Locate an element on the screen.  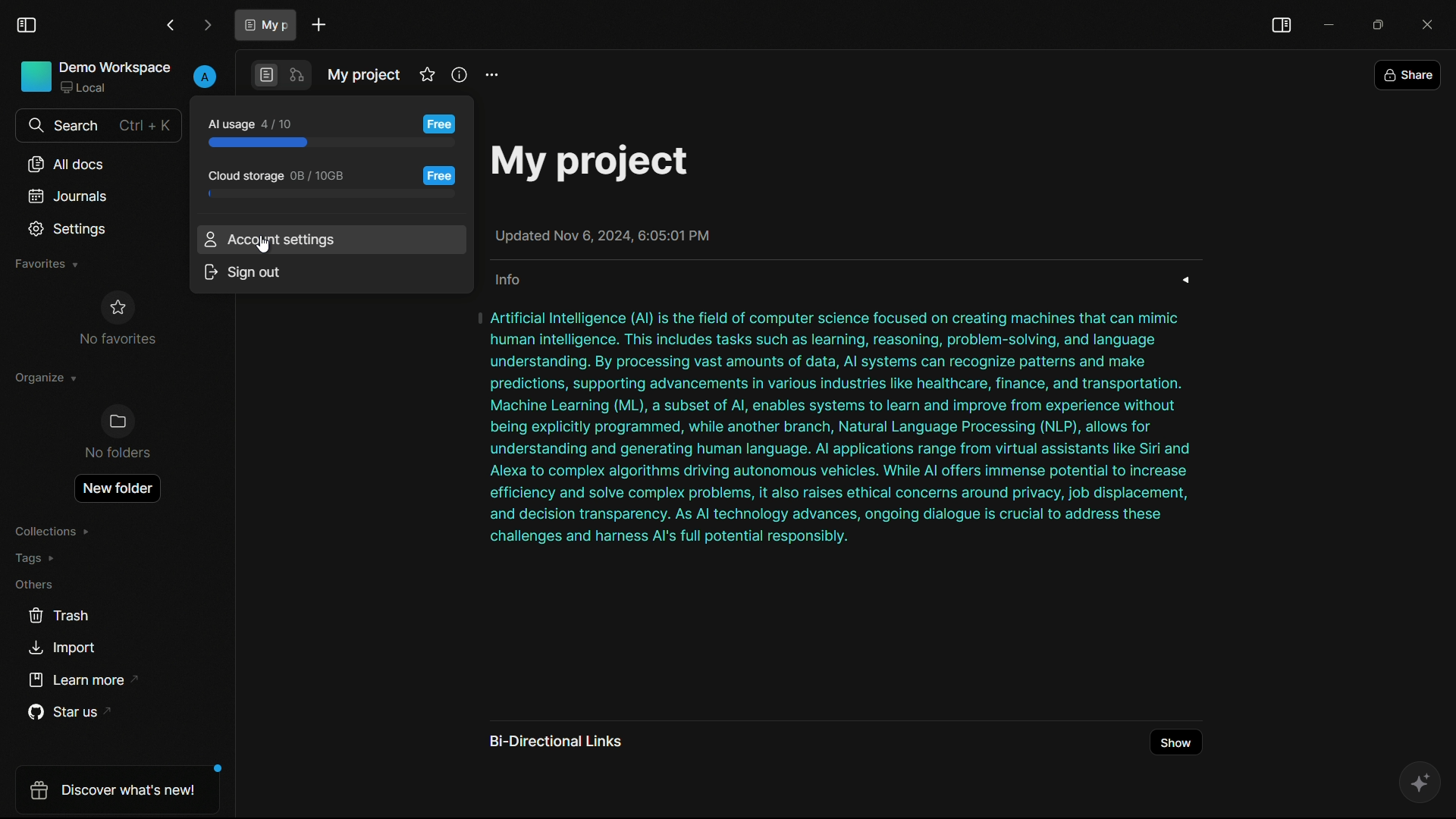
maximize or restore is located at coordinates (1382, 24).